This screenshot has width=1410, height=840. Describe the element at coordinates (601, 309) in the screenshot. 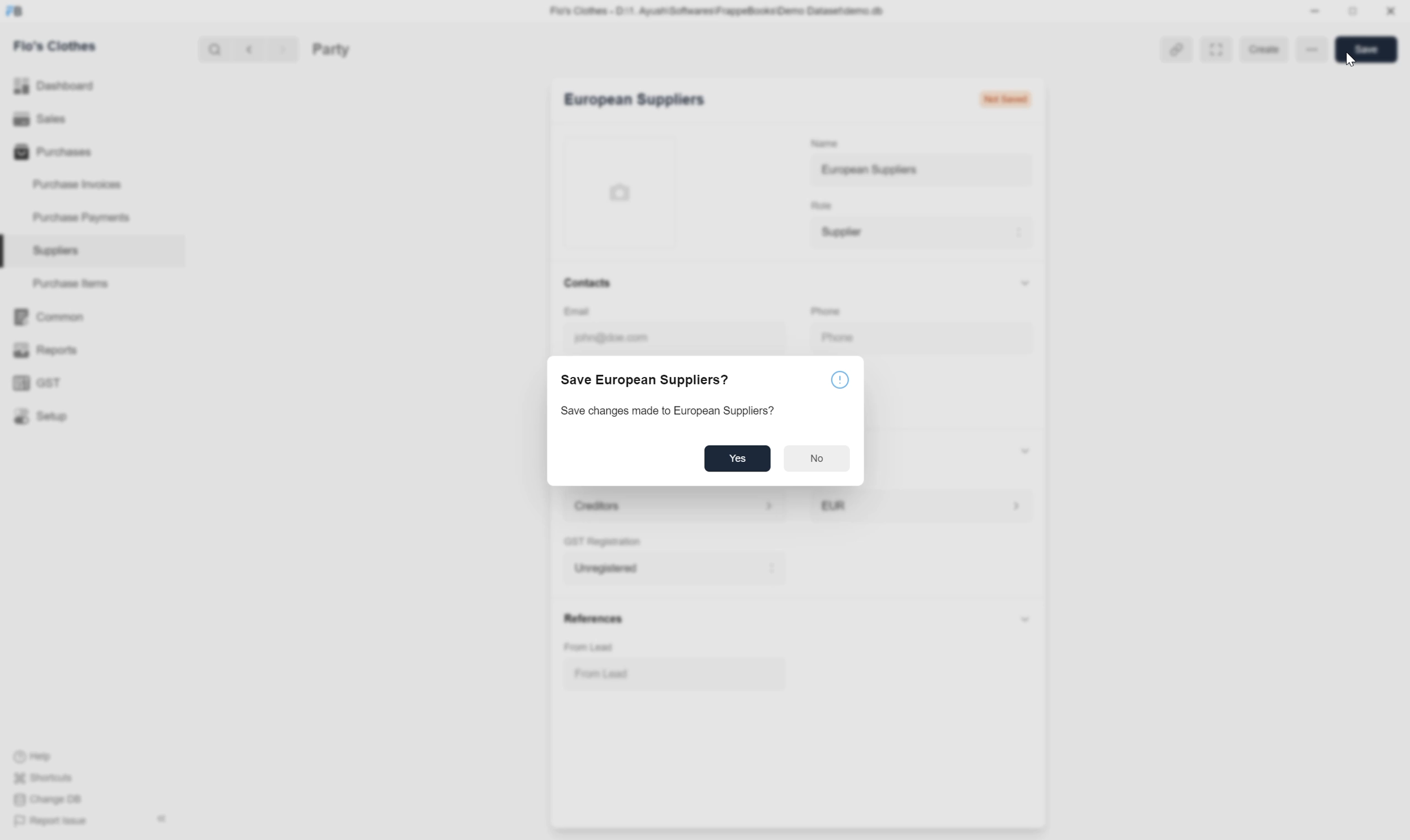

I see `Email` at that location.